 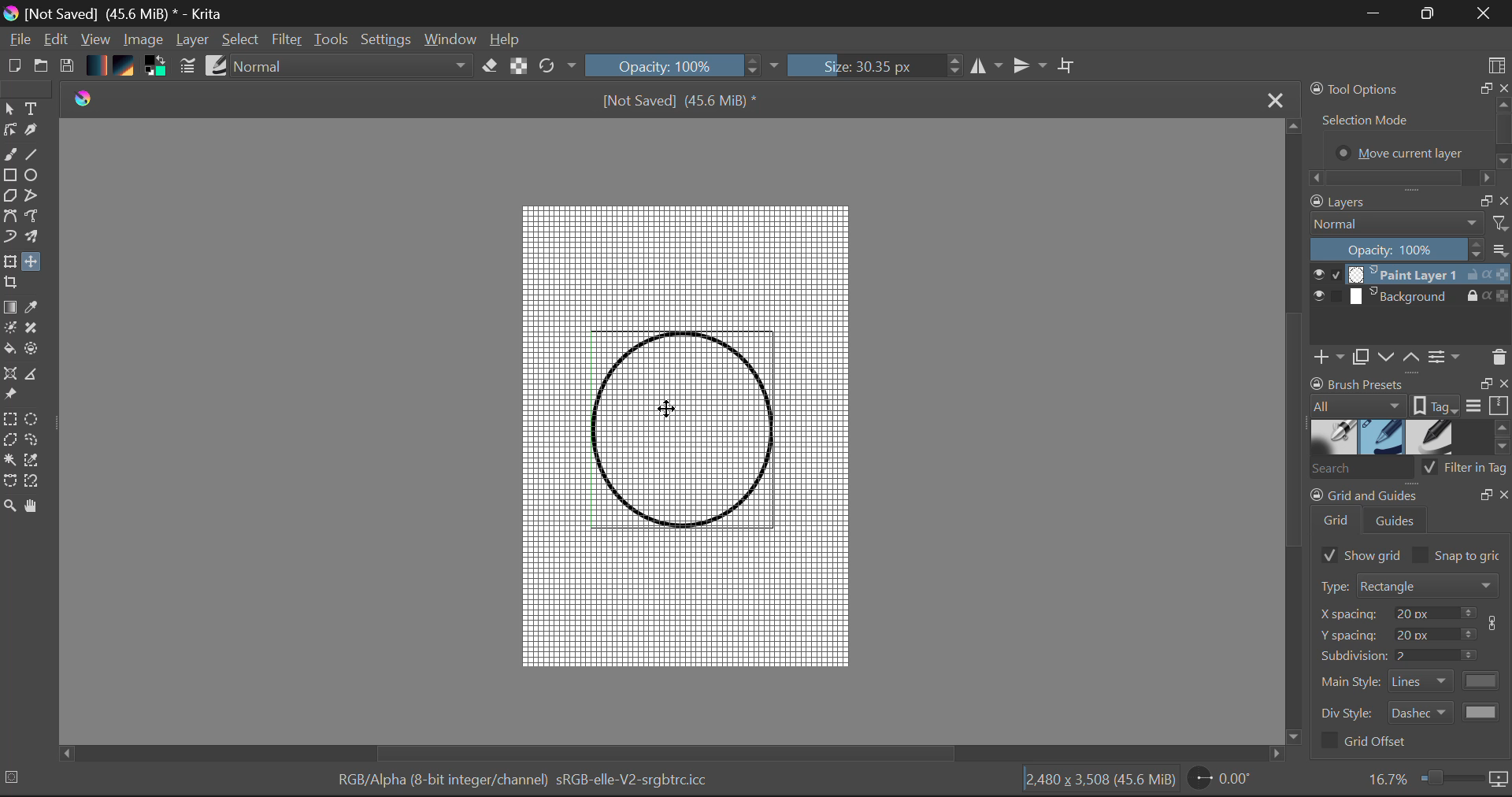 I want to click on Freehand Path Tool, so click(x=38, y=218).